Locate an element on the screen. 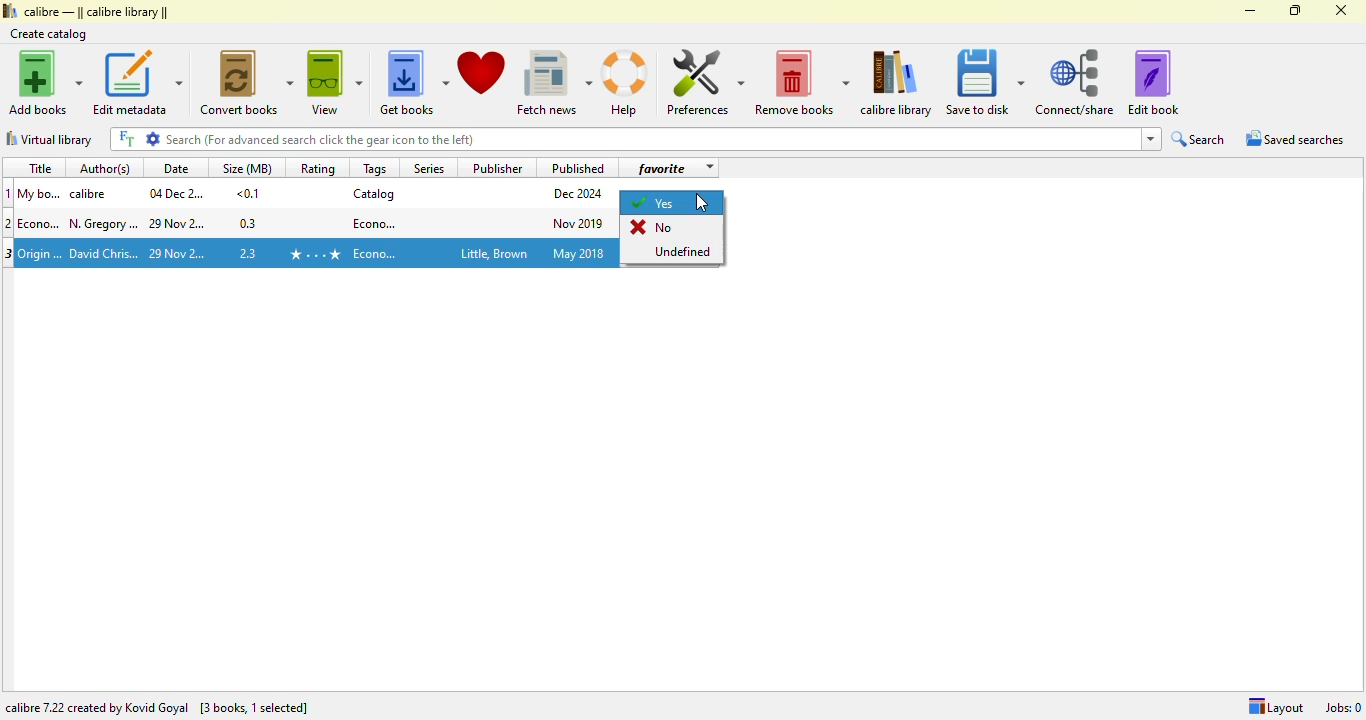  settings is located at coordinates (153, 138).